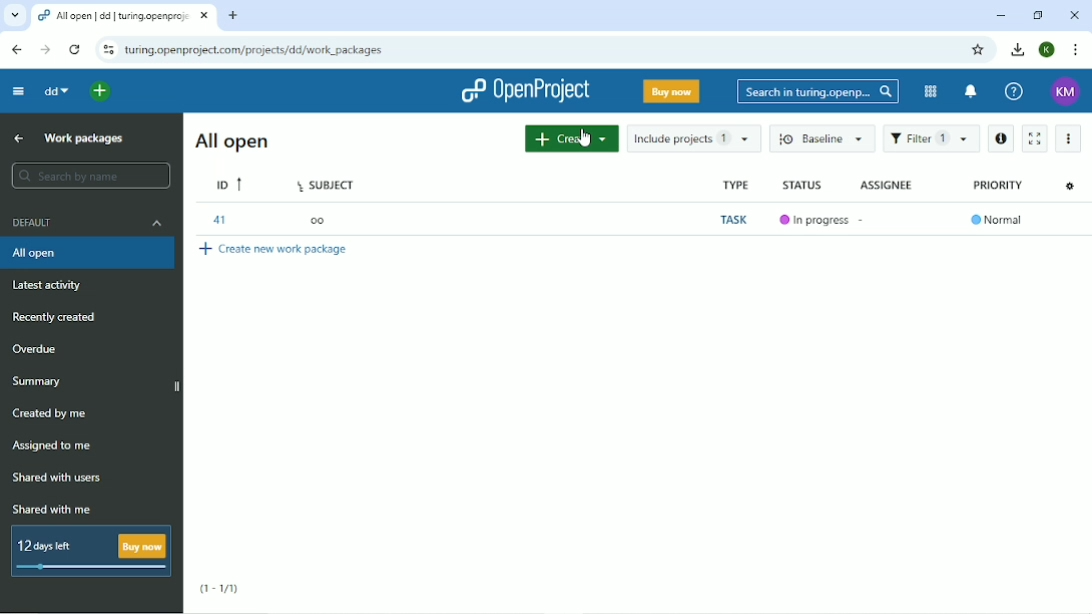 This screenshot has width=1092, height=614. I want to click on Priority, so click(997, 184).